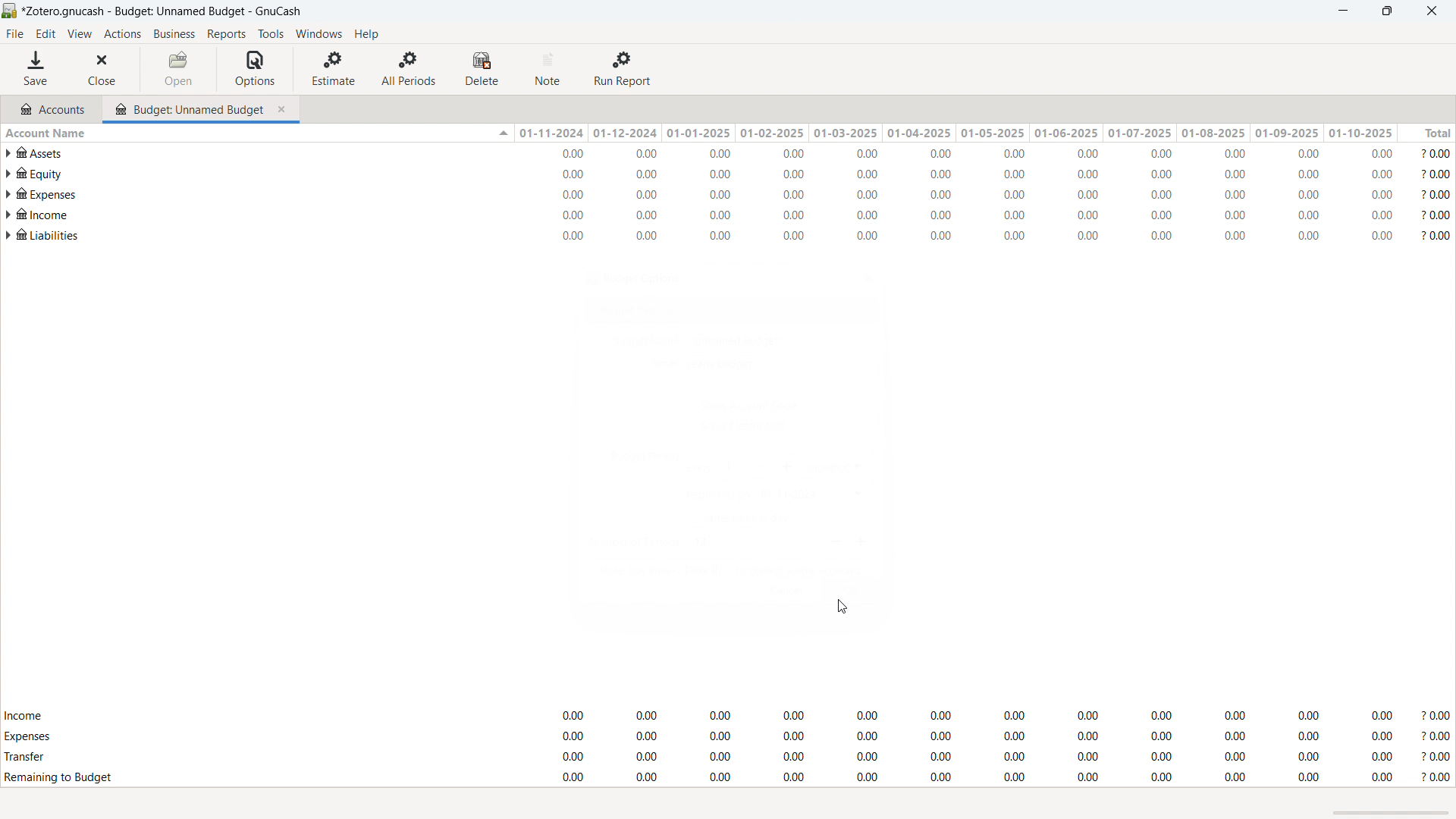 This screenshot has height=819, width=1456. Describe the element at coordinates (189, 105) in the screenshot. I see `budget tab` at that location.